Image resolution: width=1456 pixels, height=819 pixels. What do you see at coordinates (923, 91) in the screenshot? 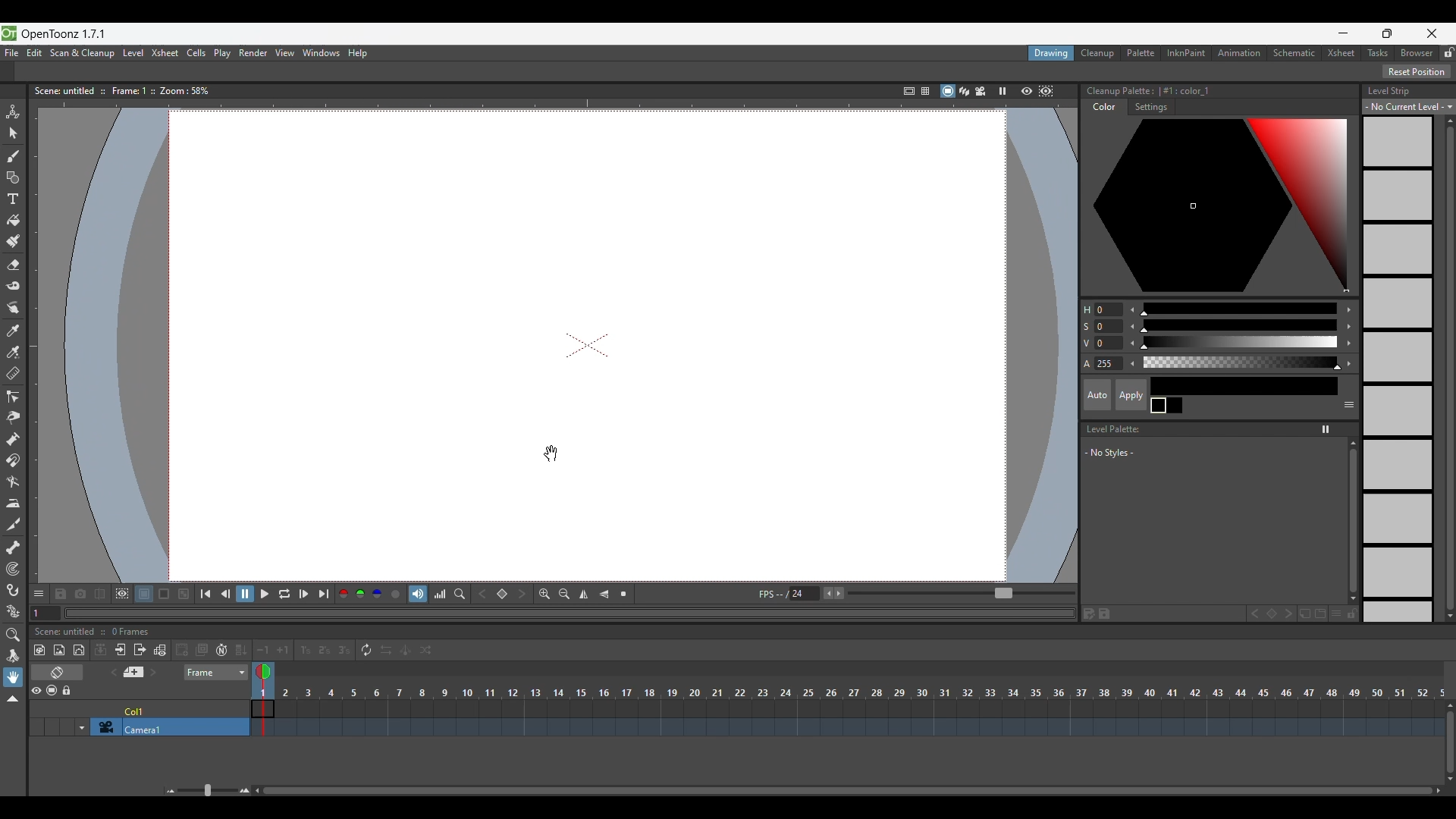
I see `=§-1` at bounding box center [923, 91].